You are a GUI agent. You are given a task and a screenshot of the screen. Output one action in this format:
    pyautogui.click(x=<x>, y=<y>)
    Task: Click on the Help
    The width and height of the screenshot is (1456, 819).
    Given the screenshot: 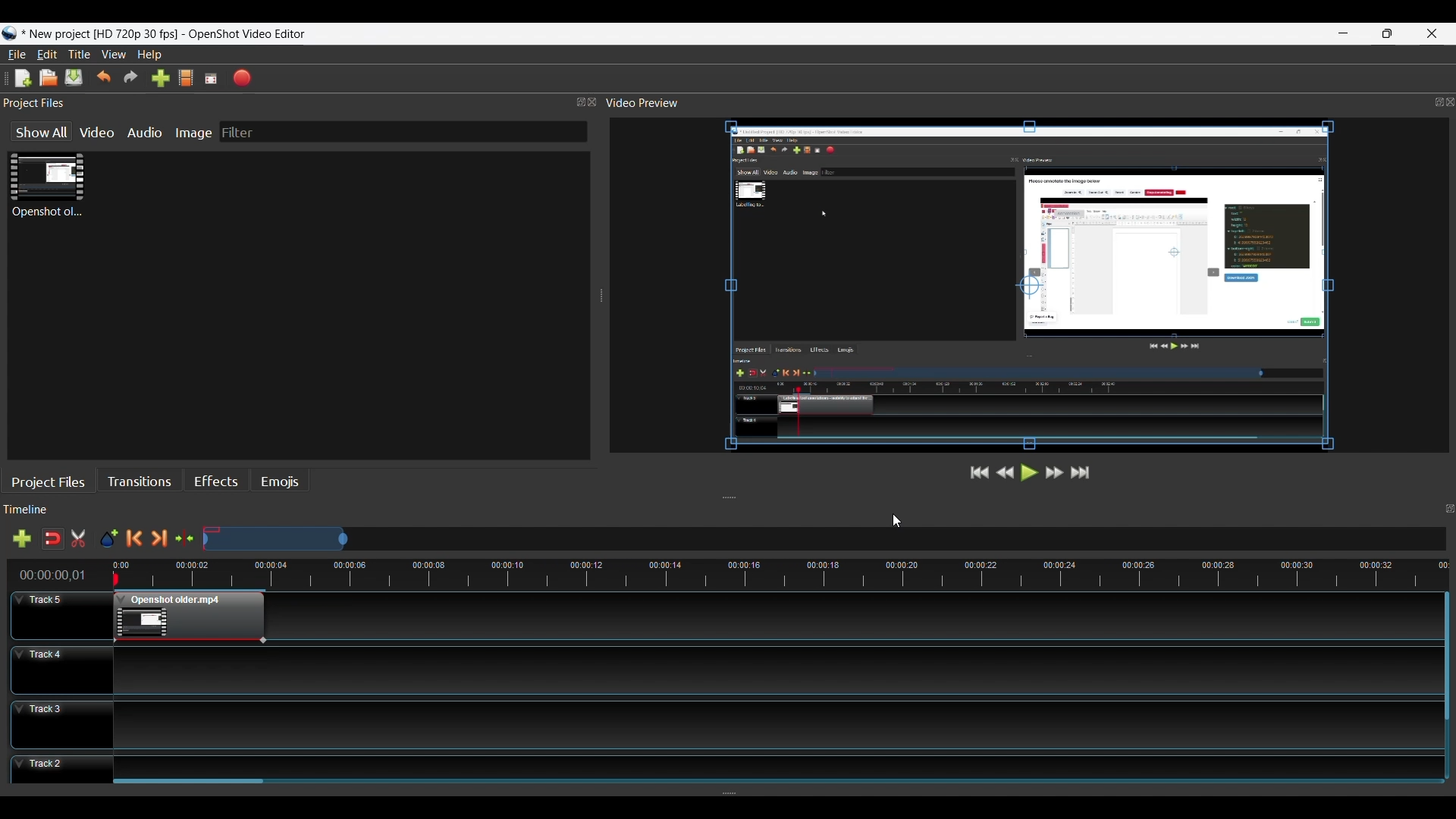 What is the action you would take?
    pyautogui.click(x=149, y=55)
    